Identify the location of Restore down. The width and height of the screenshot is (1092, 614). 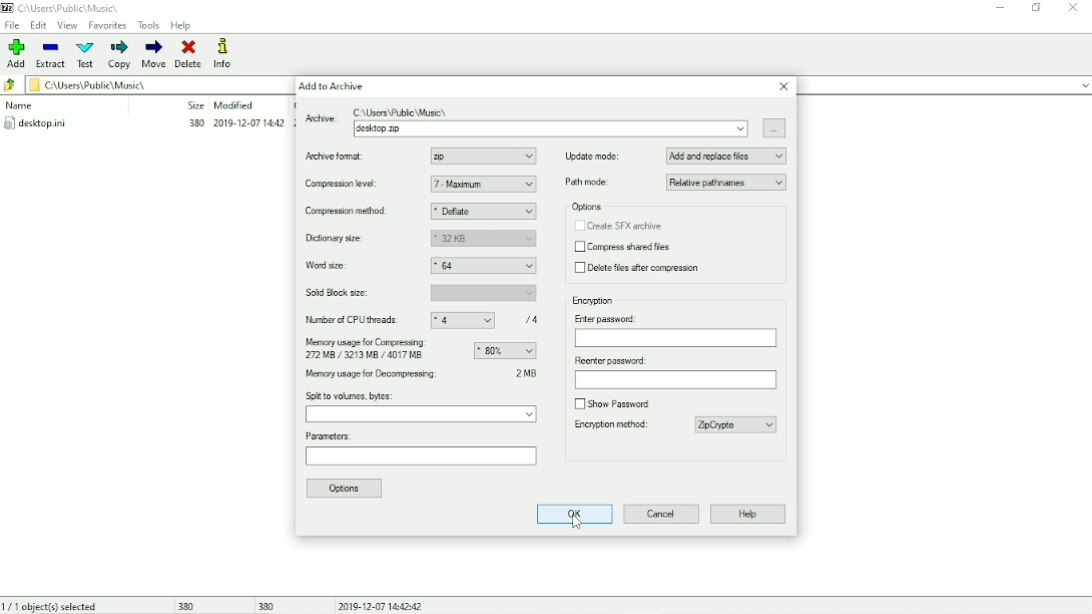
(1038, 7).